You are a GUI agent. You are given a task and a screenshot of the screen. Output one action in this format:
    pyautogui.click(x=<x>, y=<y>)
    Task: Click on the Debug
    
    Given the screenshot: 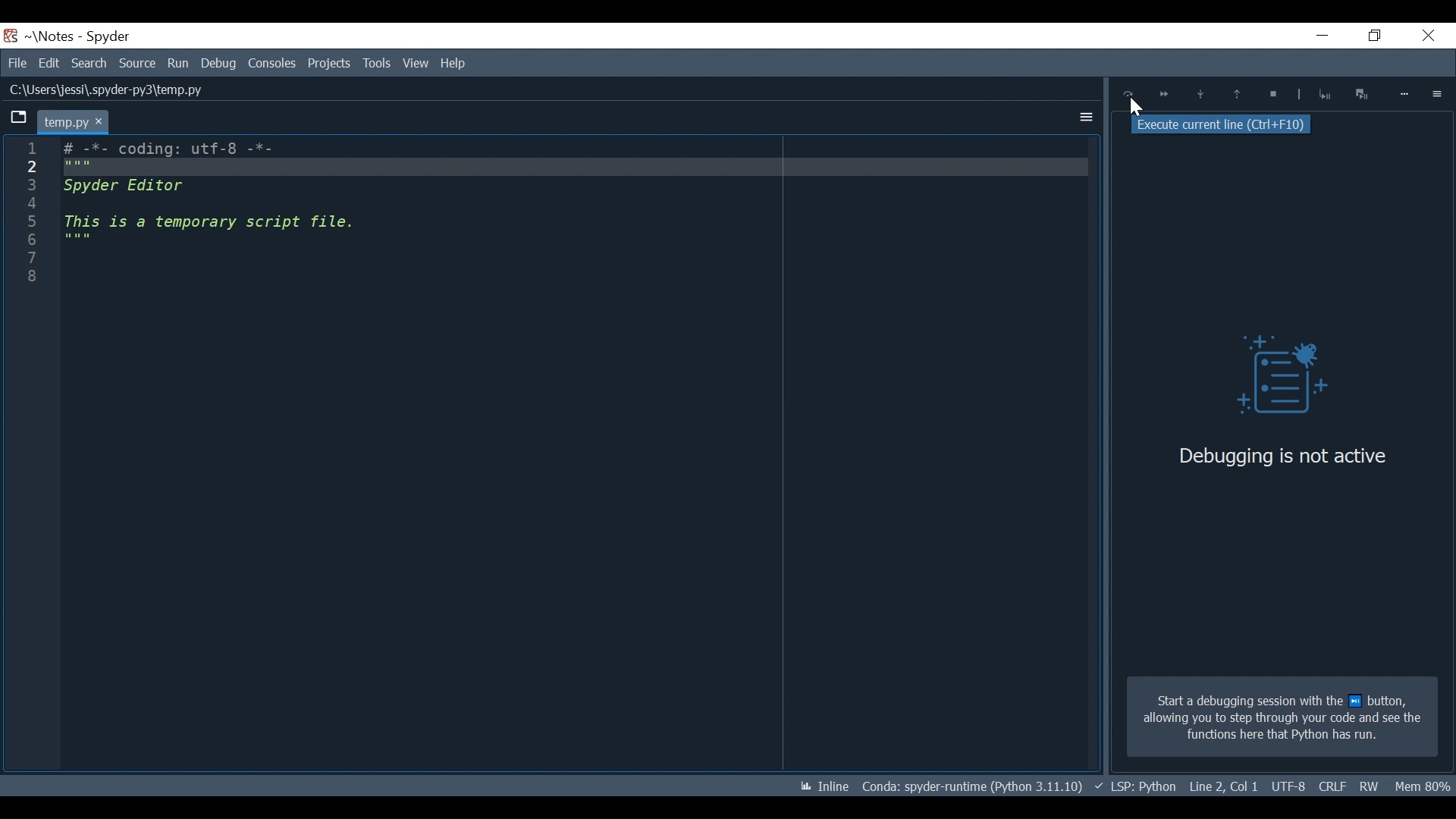 What is the action you would take?
    pyautogui.click(x=218, y=63)
    